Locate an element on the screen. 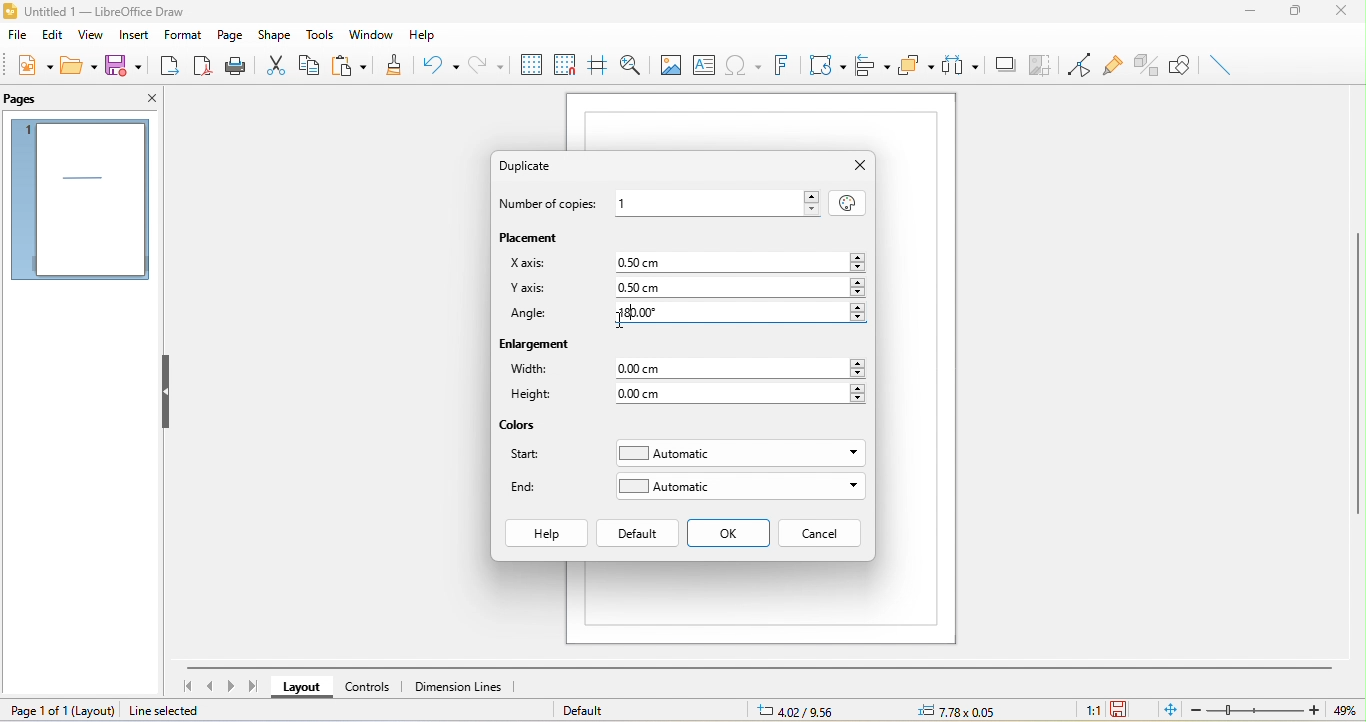 This screenshot has width=1366, height=722. x axis is located at coordinates (528, 262).